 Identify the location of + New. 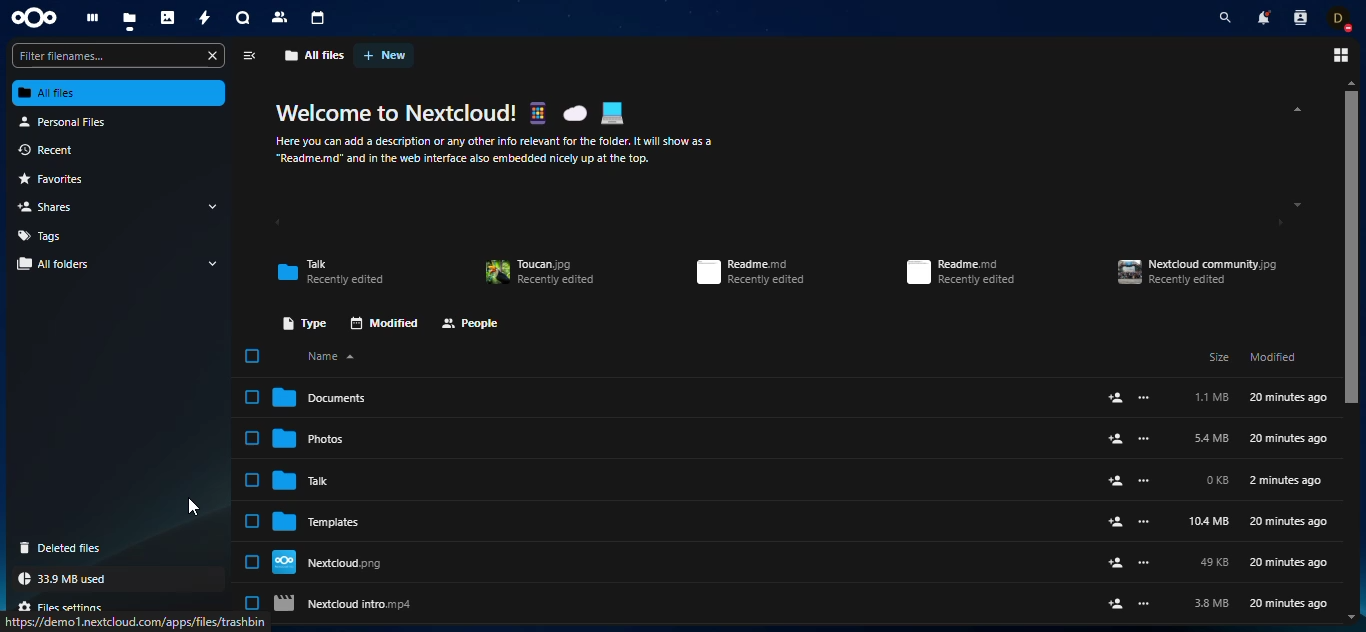
(386, 55).